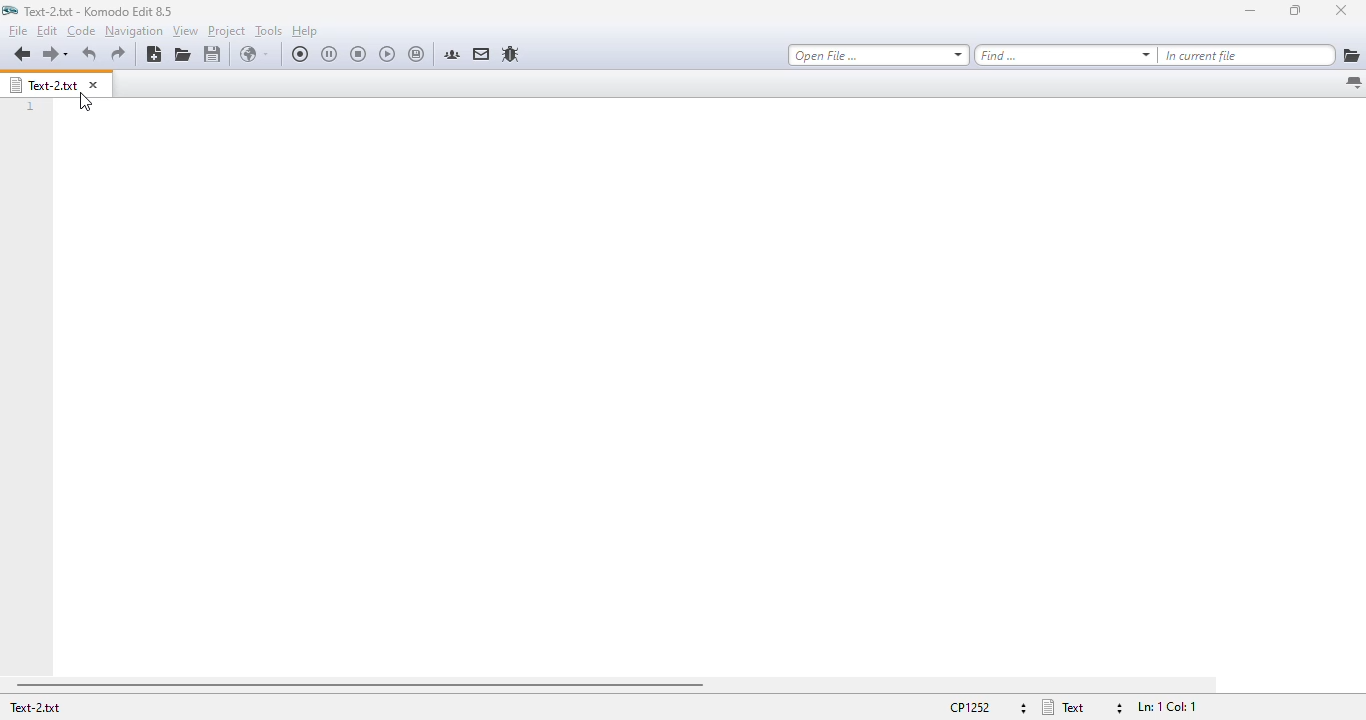 This screenshot has height=720, width=1366. Describe the element at coordinates (360, 685) in the screenshot. I see `horizontal scroll bar` at that location.